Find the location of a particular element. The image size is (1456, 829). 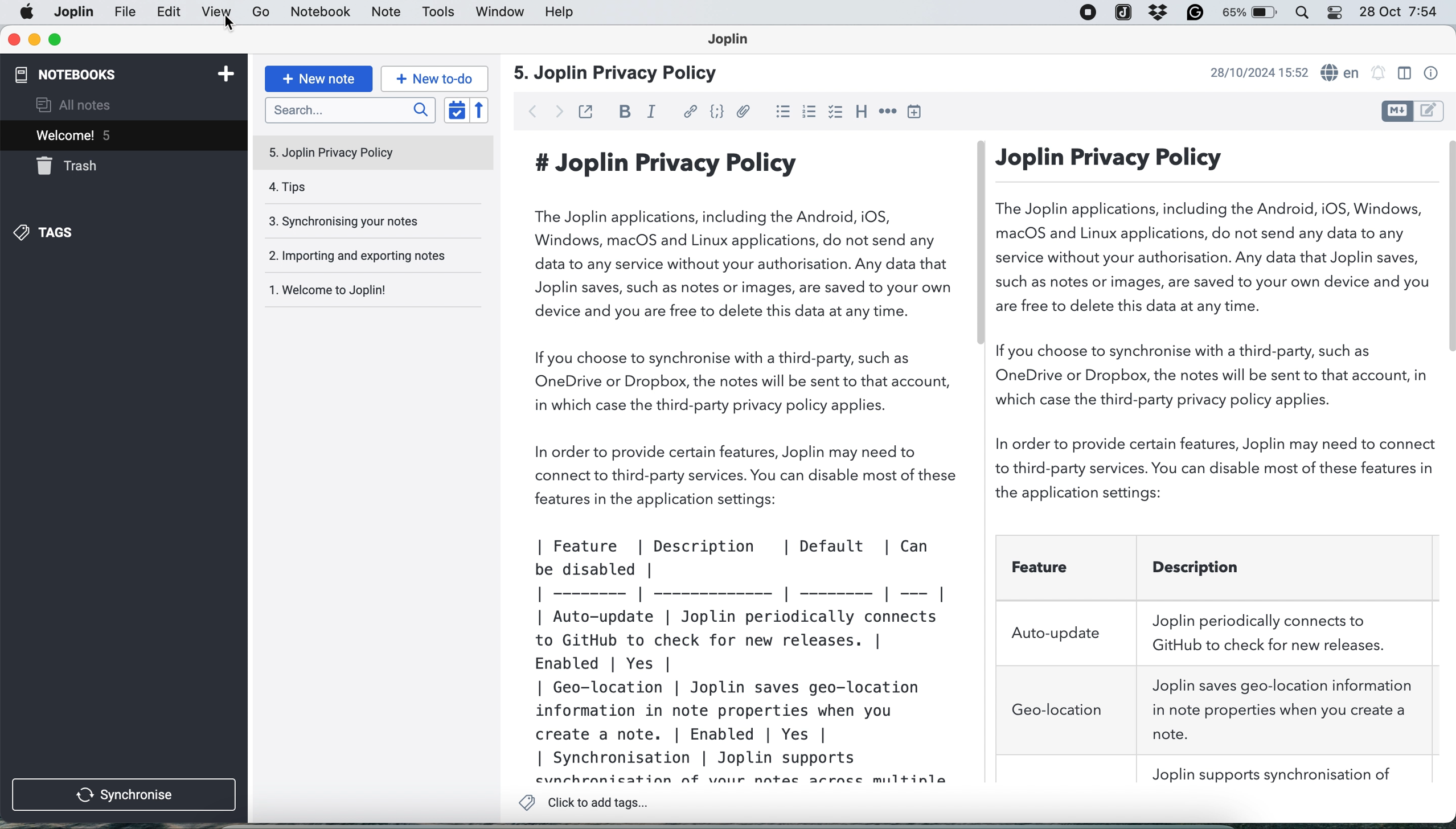

2. Importing and exporting notes is located at coordinates (367, 258).